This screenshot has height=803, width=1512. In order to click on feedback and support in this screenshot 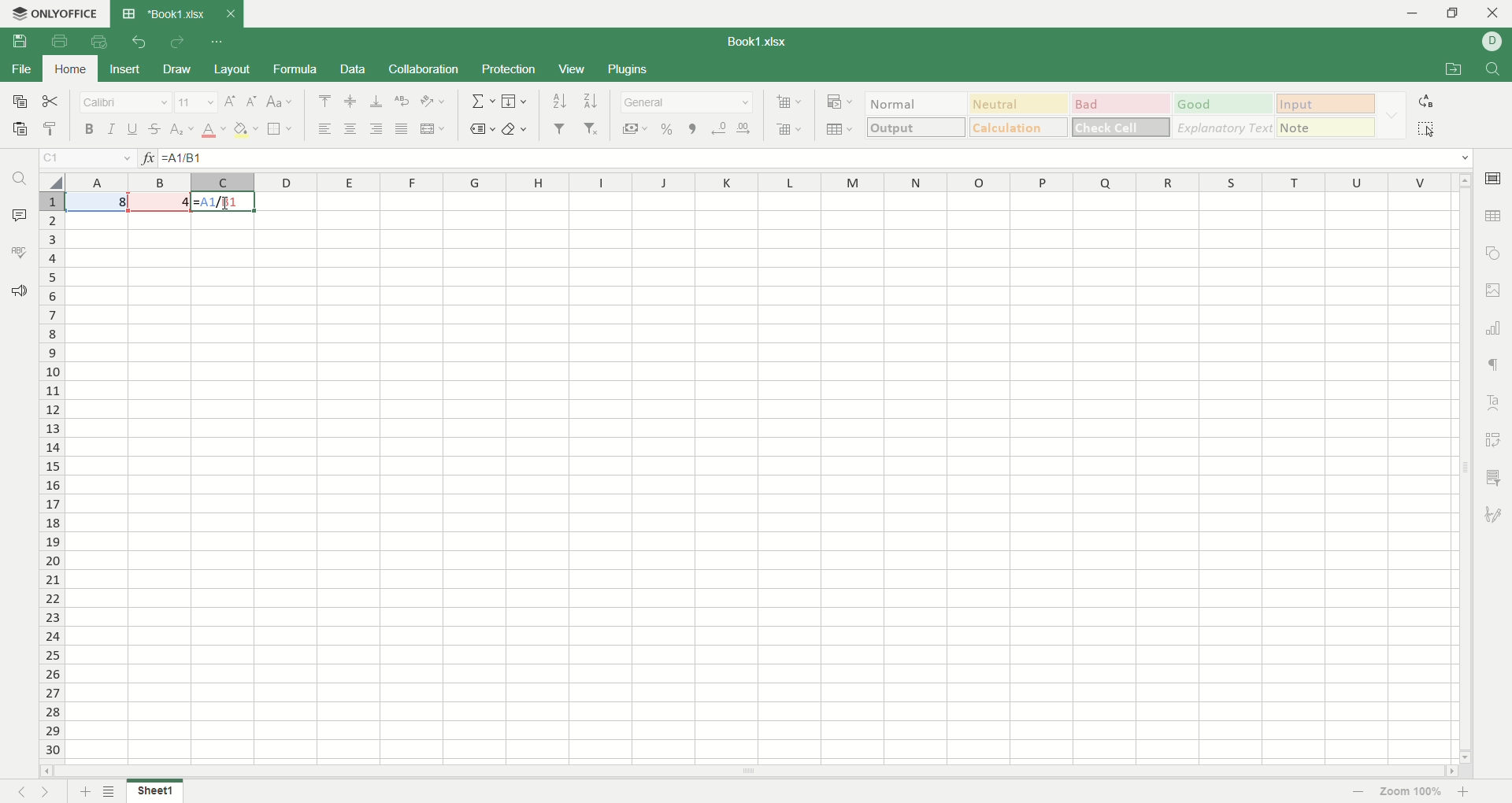, I will do `click(18, 292)`.